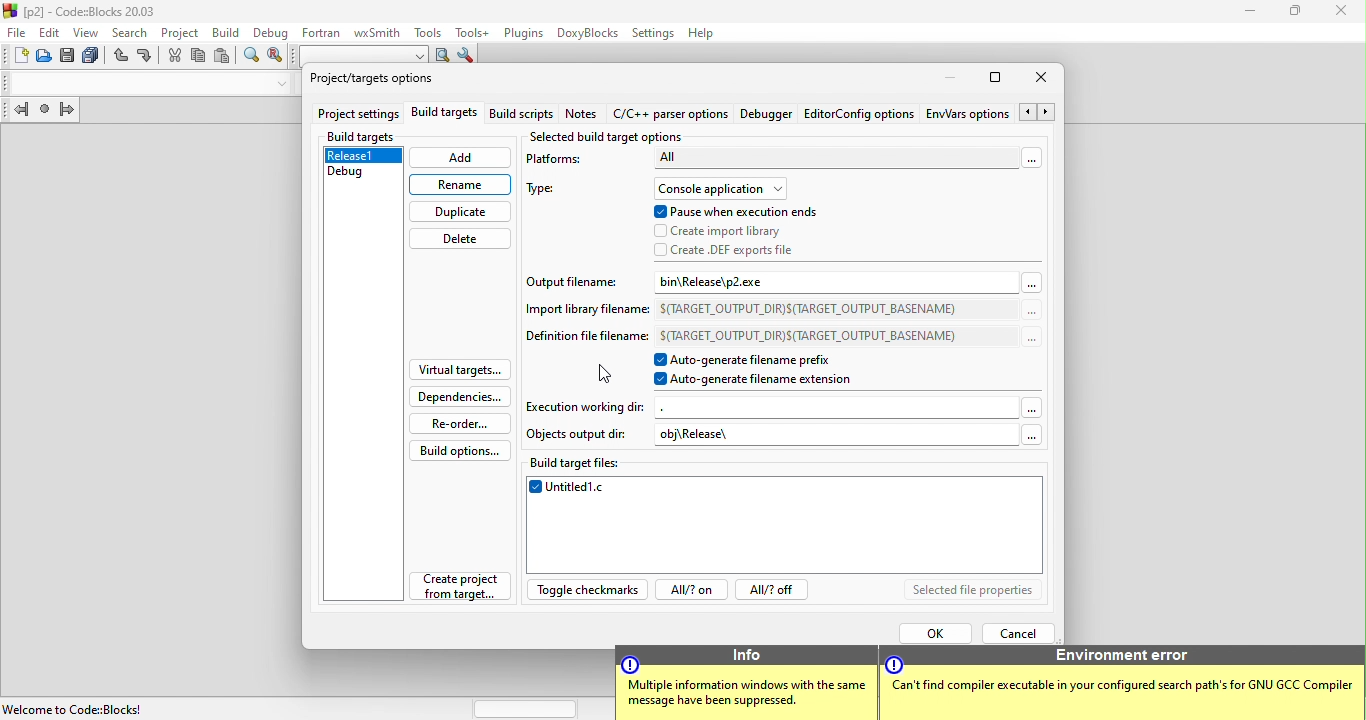  Describe the element at coordinates (967, 113) in the screenshot. I see `env\ars option` at that location.